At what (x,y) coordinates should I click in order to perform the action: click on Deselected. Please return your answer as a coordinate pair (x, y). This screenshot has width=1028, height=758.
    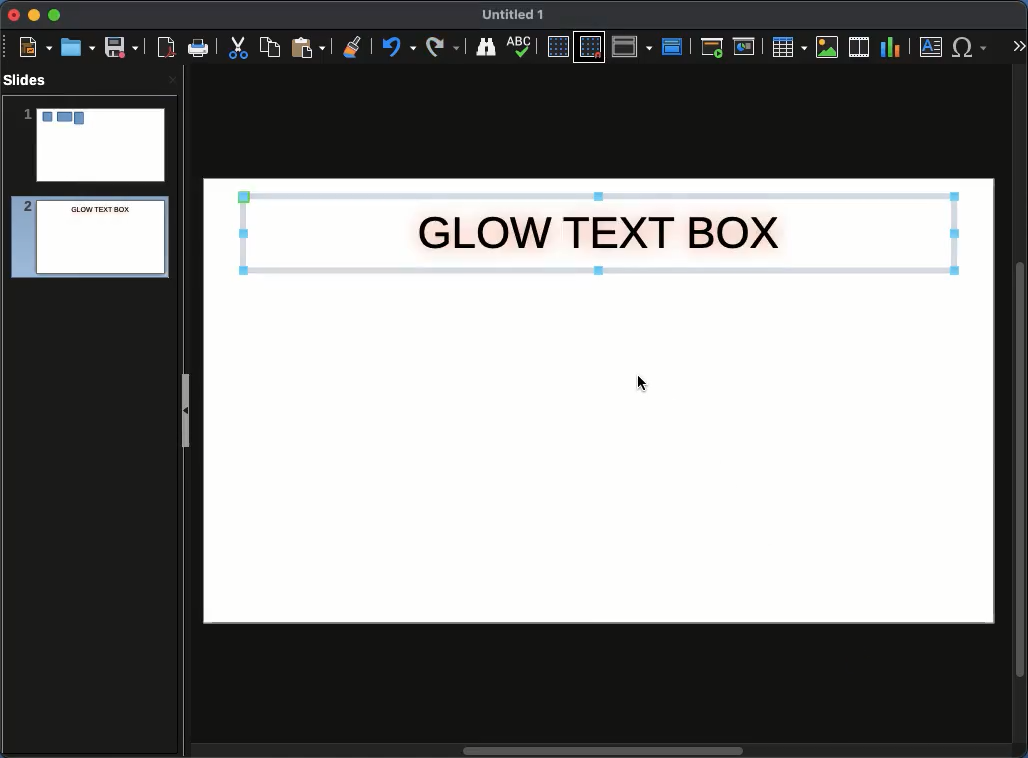
    Looking at the image, I should click on (639, 381).